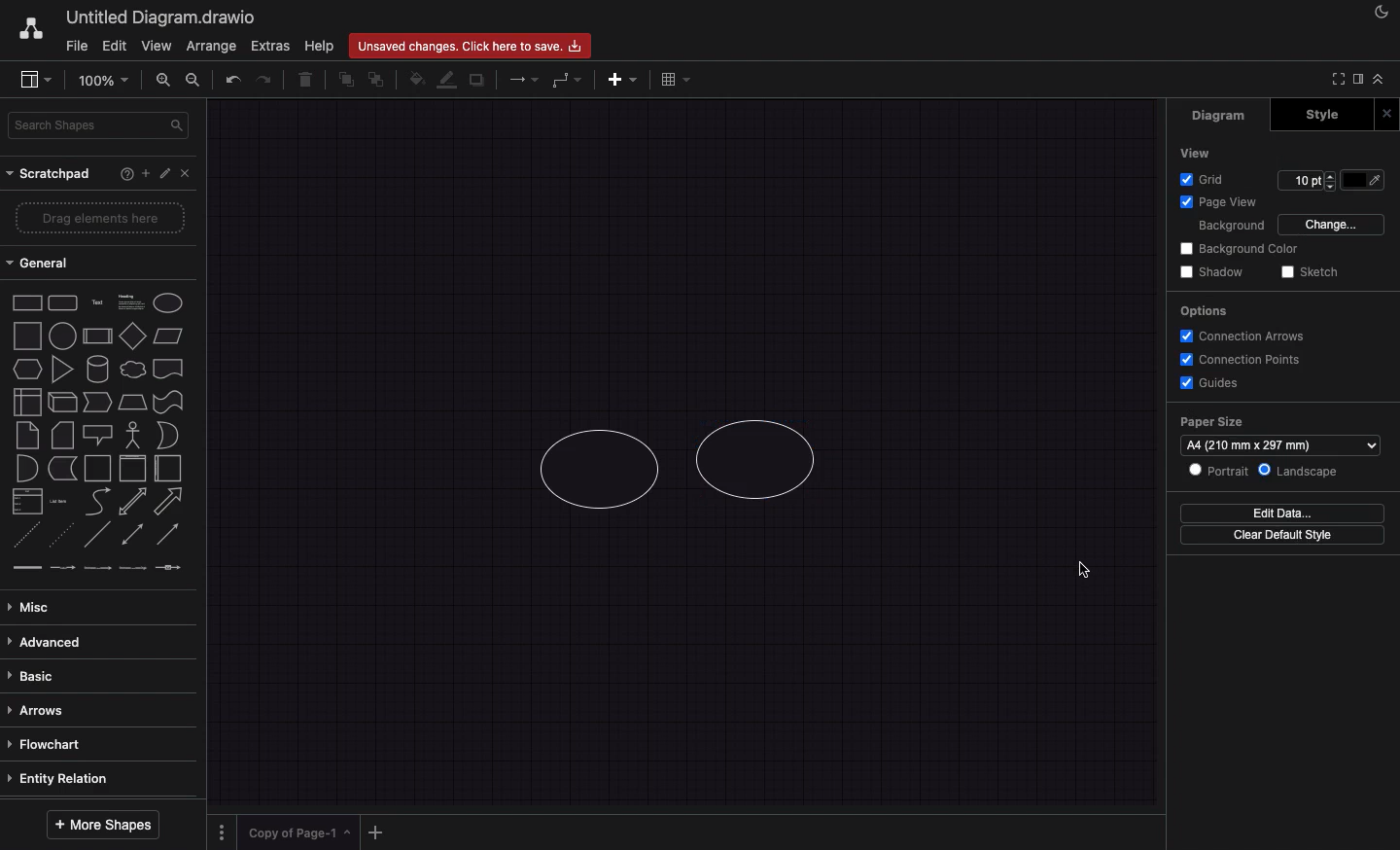  Describe the element at coordinates (375, 832) in the screenshot. I see `add new page` at that location.